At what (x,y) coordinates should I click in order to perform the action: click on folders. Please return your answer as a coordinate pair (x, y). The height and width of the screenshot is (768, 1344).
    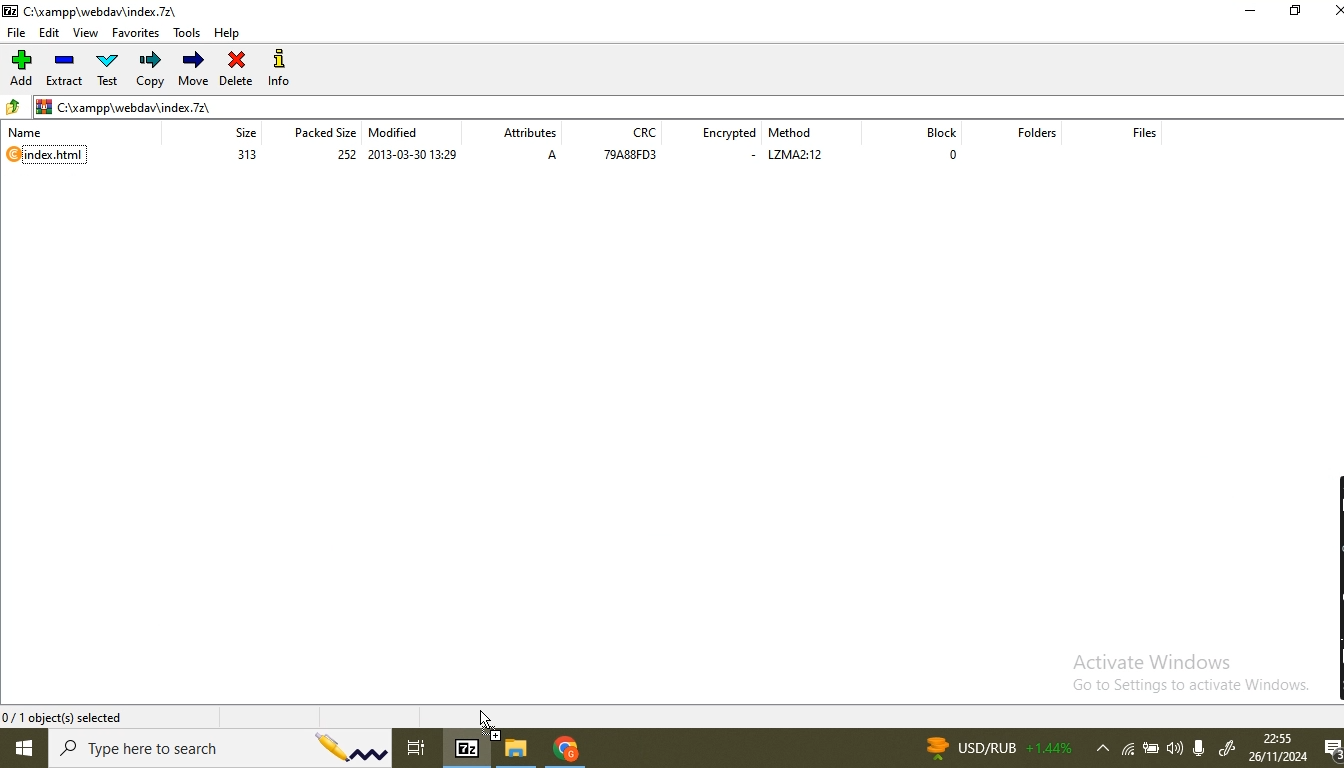
    Looking at the image, I should click on (1036, 139).